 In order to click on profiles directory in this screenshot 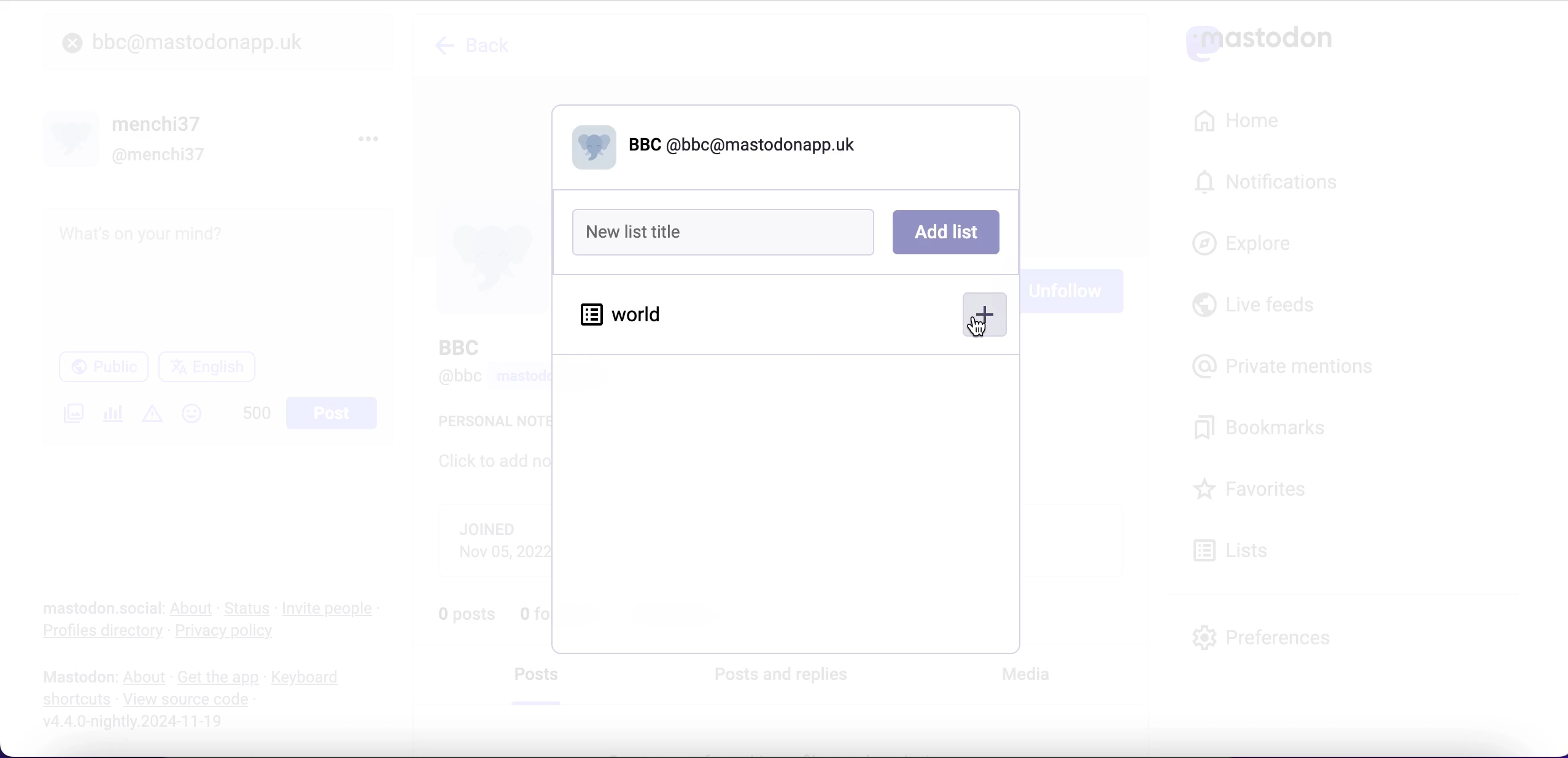, I will do `click(95, 633)`.